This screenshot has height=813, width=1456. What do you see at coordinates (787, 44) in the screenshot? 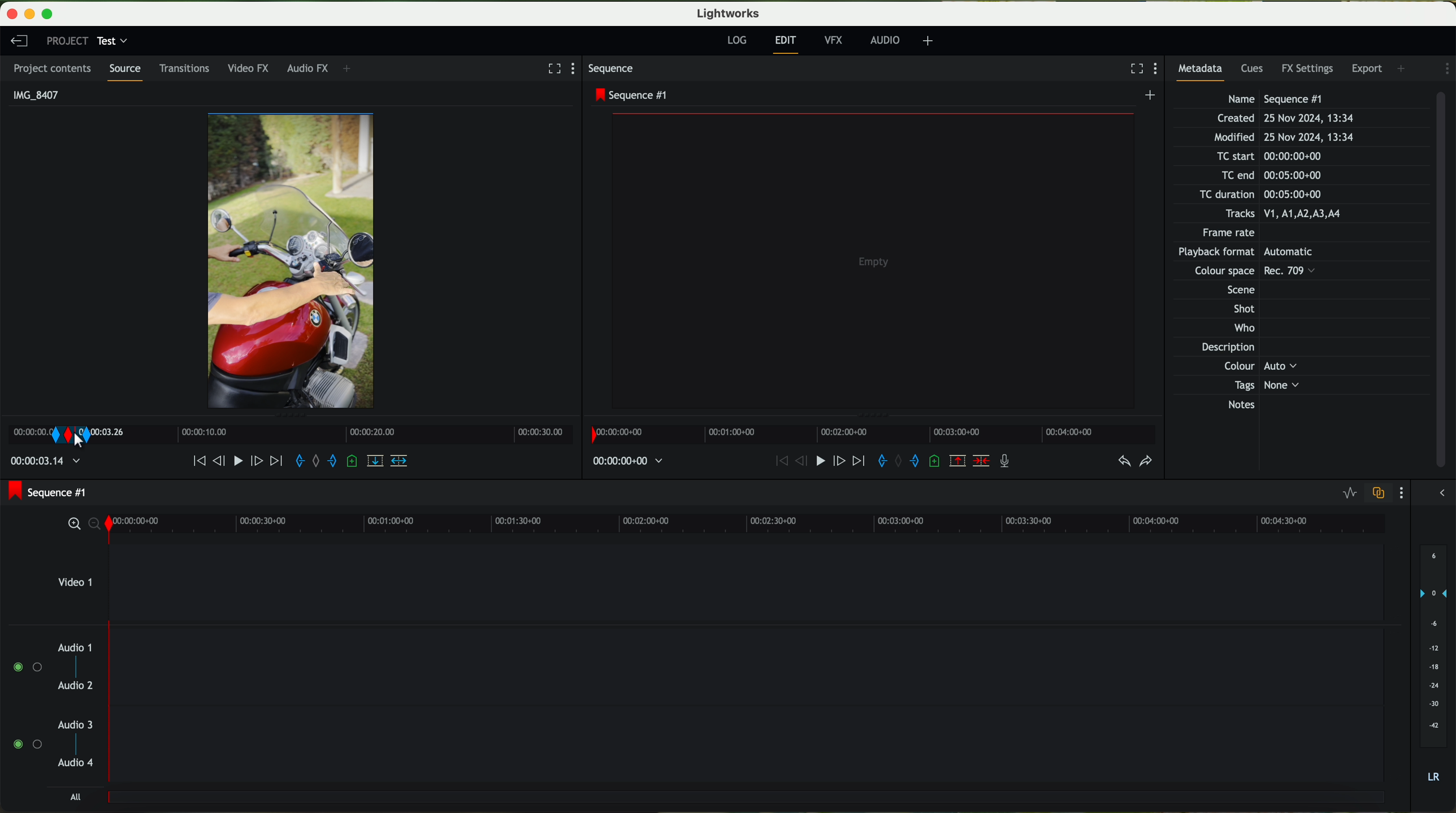
I see `edit` at bounding box center [787, 44].